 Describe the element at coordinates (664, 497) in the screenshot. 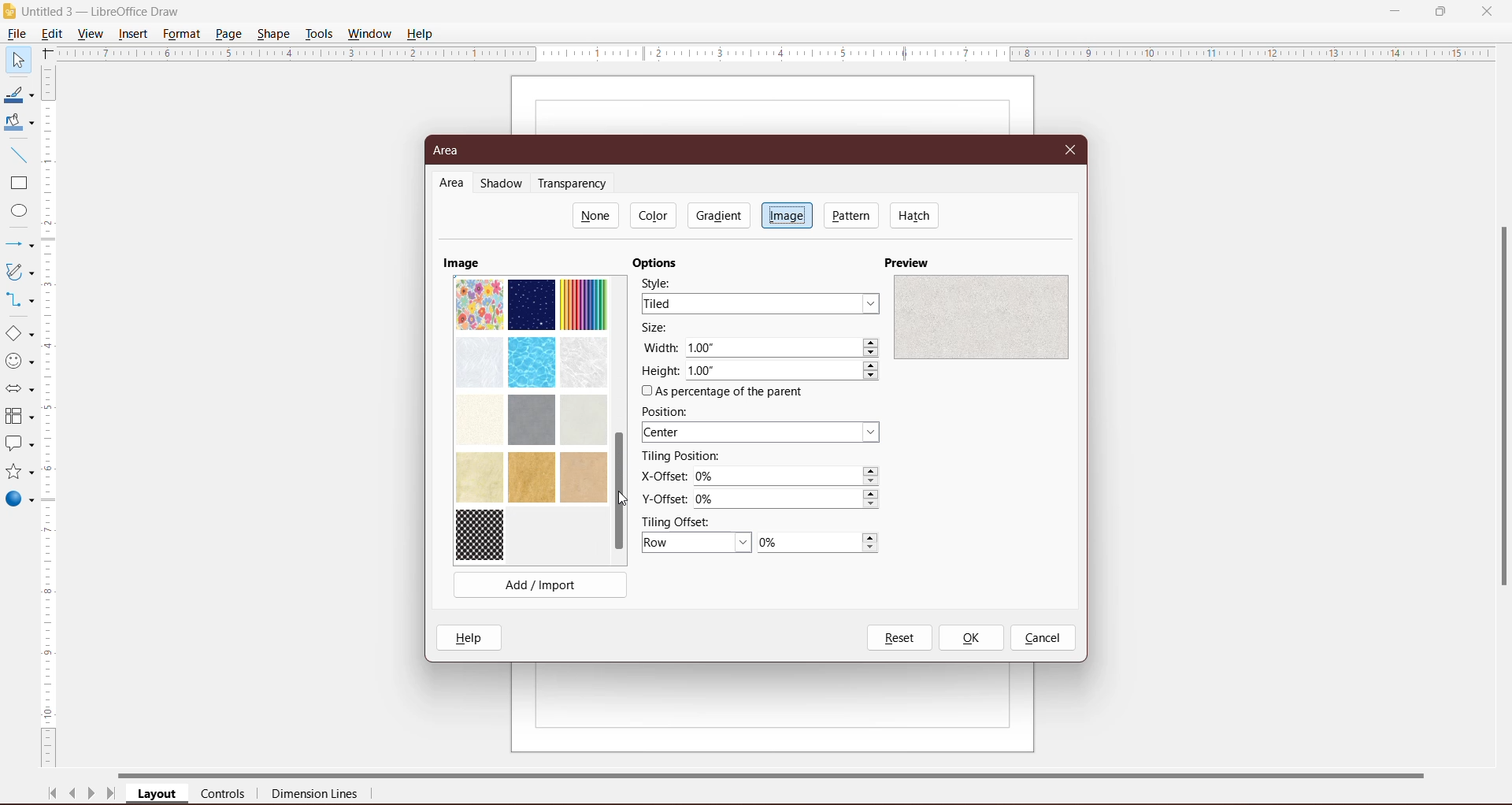

I see `Y-Offset` at that location.